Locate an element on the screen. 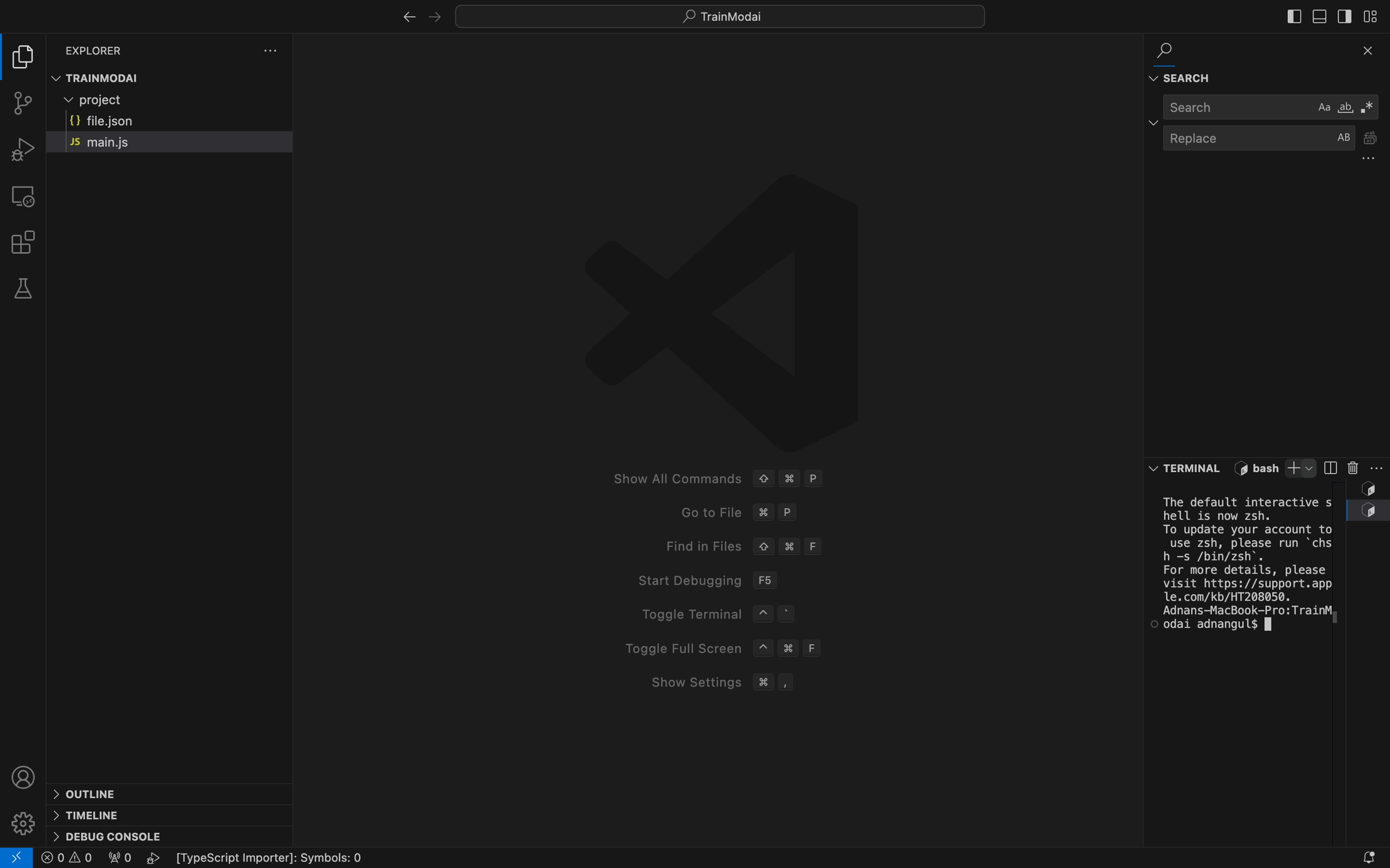 This screenshot has height=868, width=1390. sidebar at bottom is located at coordinates (1316, 15).